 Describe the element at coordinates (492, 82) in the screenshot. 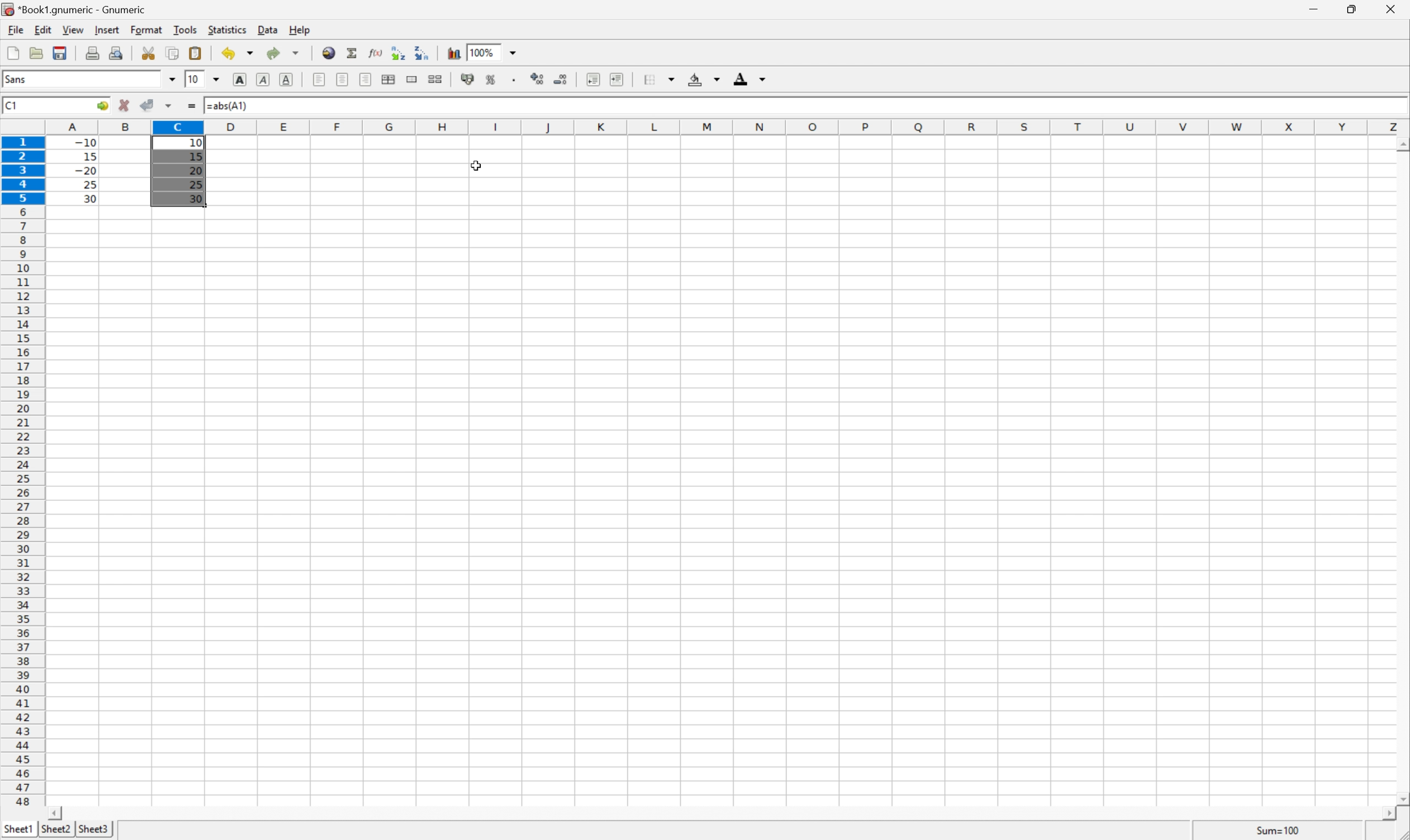

I see `Format the selection as percentage` at that location.